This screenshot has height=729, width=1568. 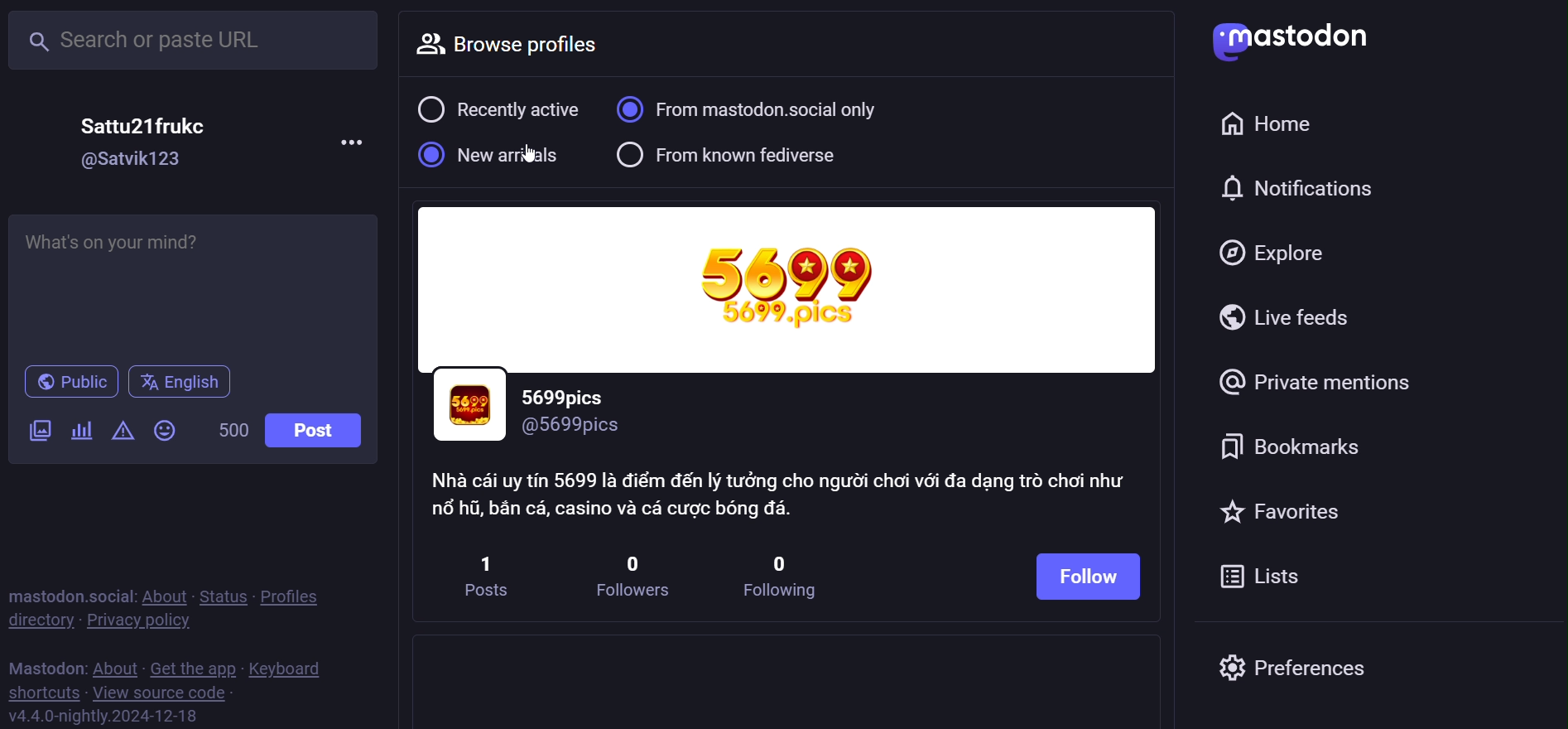 I want to click on new arrival selected, so click(x=487, y=155).